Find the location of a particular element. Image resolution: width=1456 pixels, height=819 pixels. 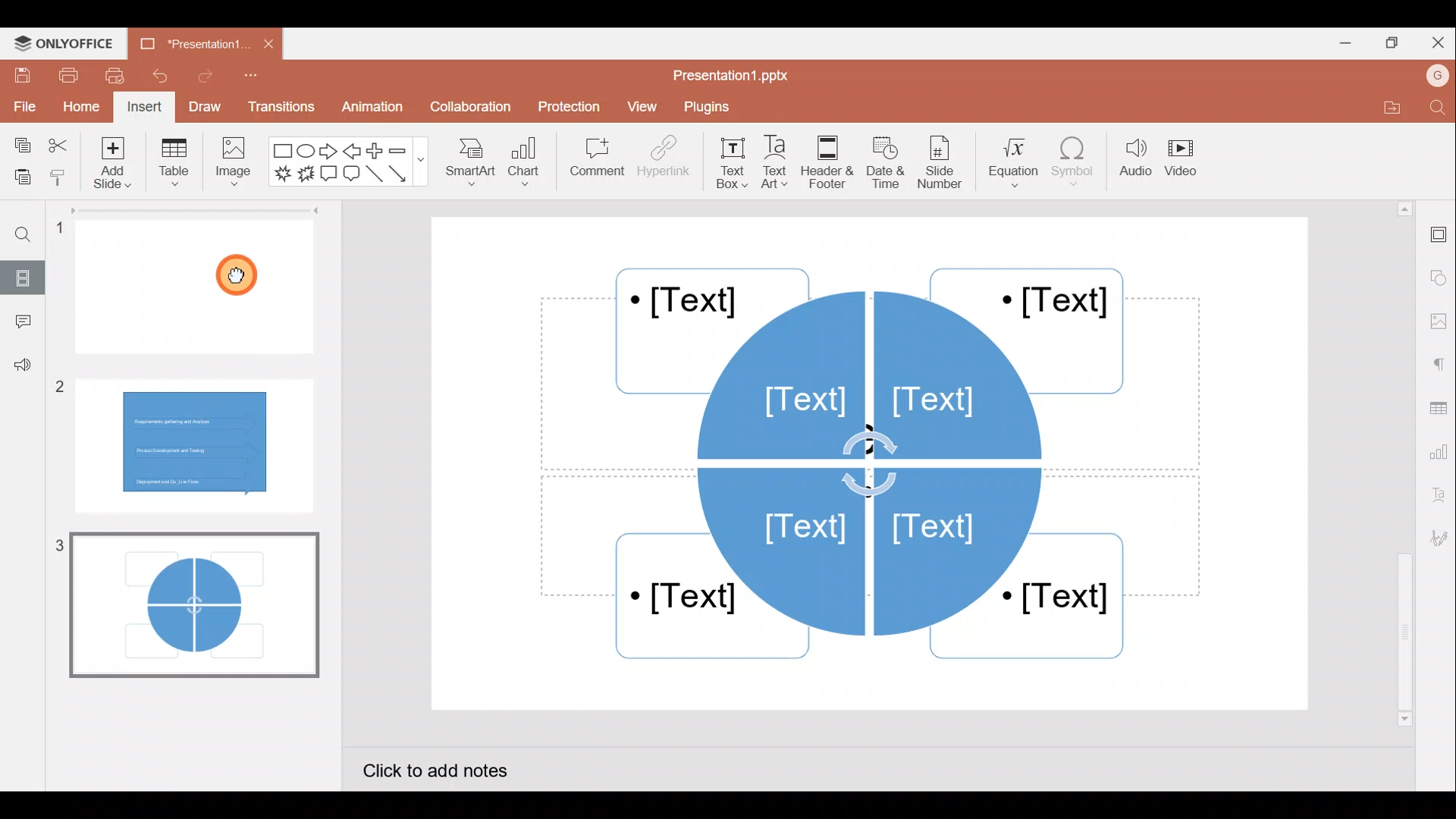

Header & footer is located at coordinates (831, 162).